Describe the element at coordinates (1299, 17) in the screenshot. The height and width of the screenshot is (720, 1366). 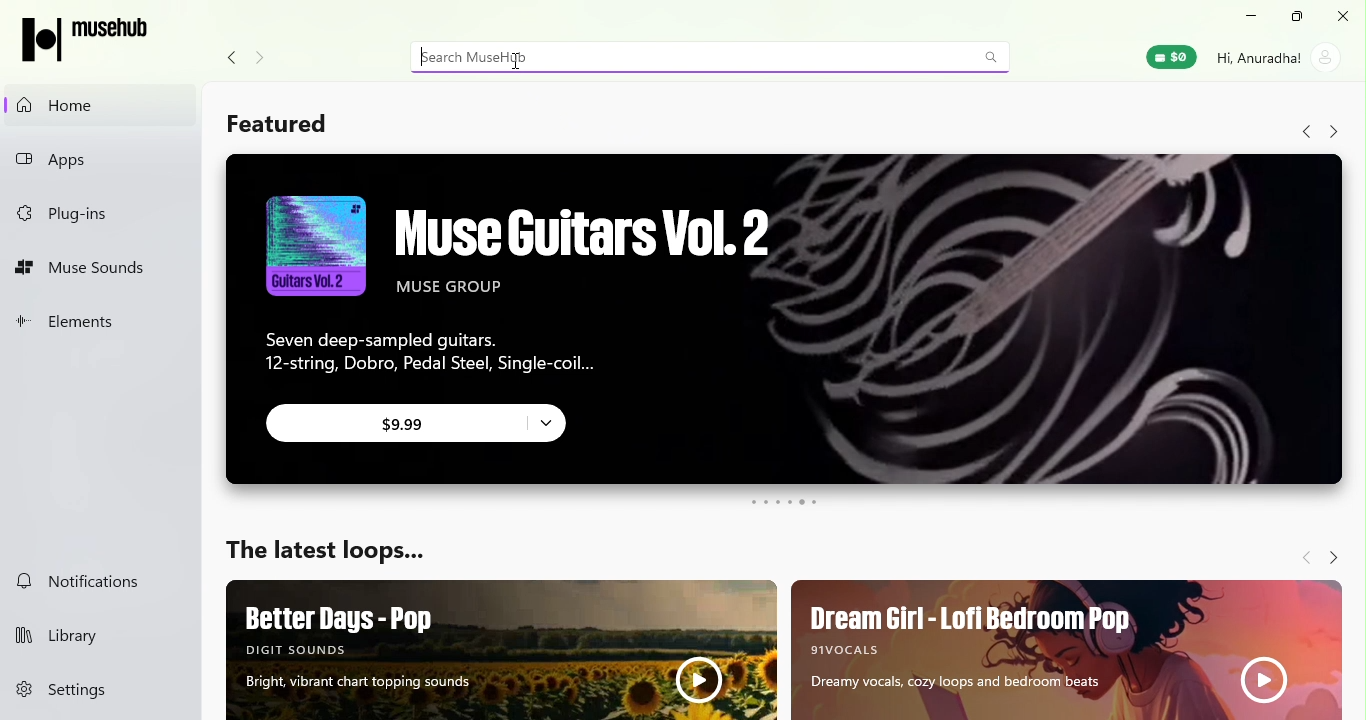
I see `Maximize` at that location.